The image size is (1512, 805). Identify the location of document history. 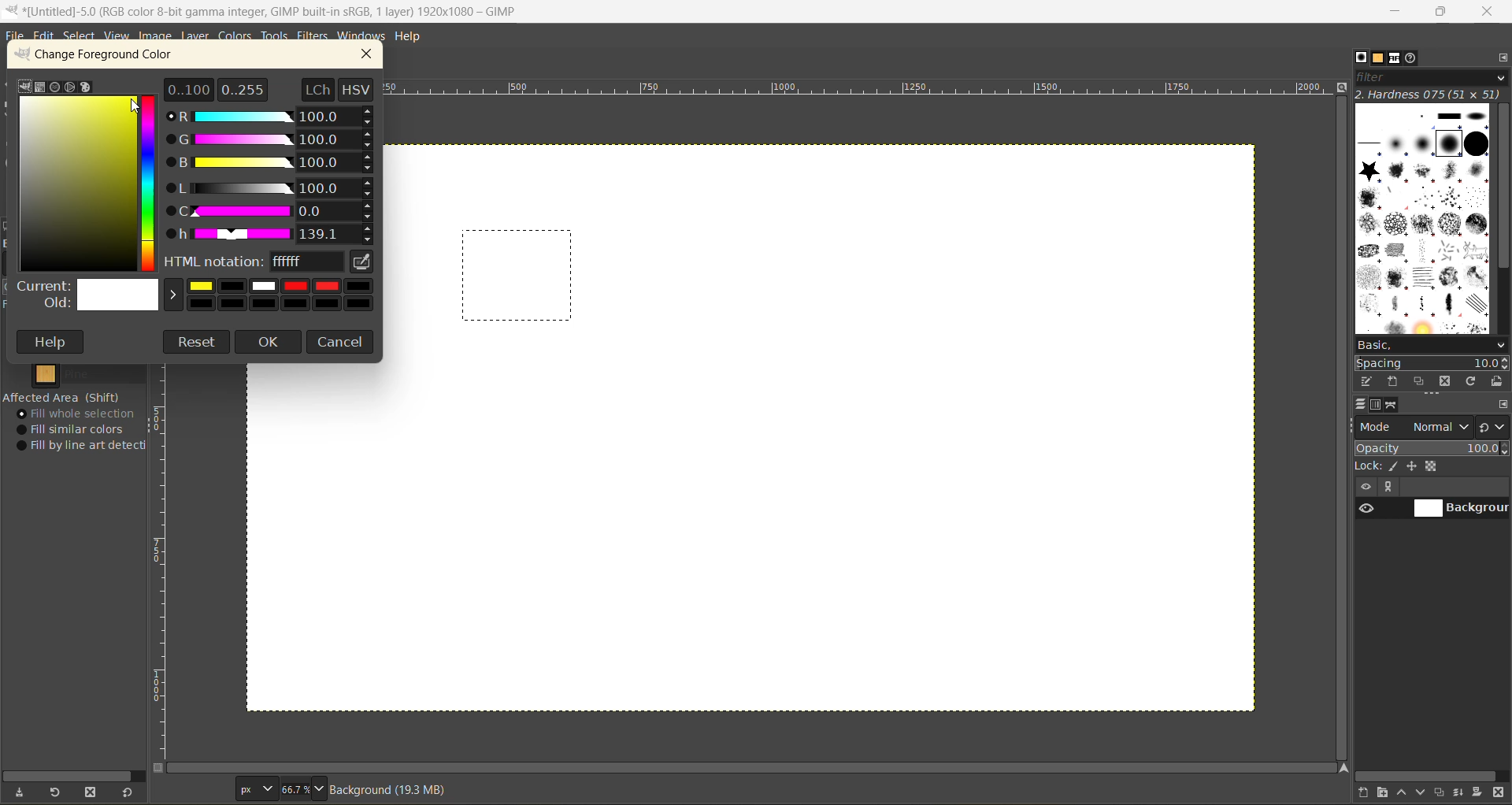
(1413, 59).